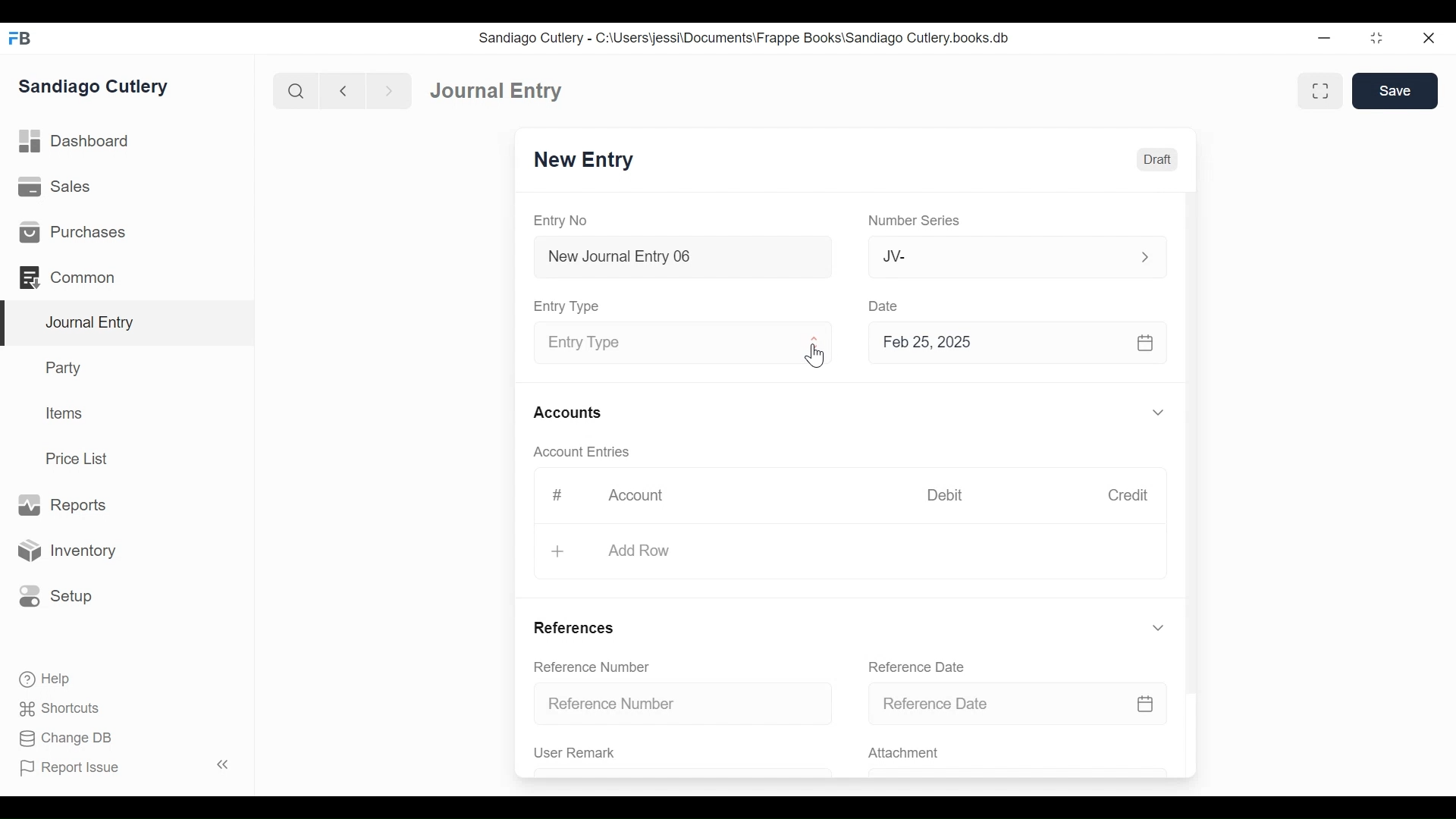  I want to click on Vertical Scroll bar, so click(1193, 431).